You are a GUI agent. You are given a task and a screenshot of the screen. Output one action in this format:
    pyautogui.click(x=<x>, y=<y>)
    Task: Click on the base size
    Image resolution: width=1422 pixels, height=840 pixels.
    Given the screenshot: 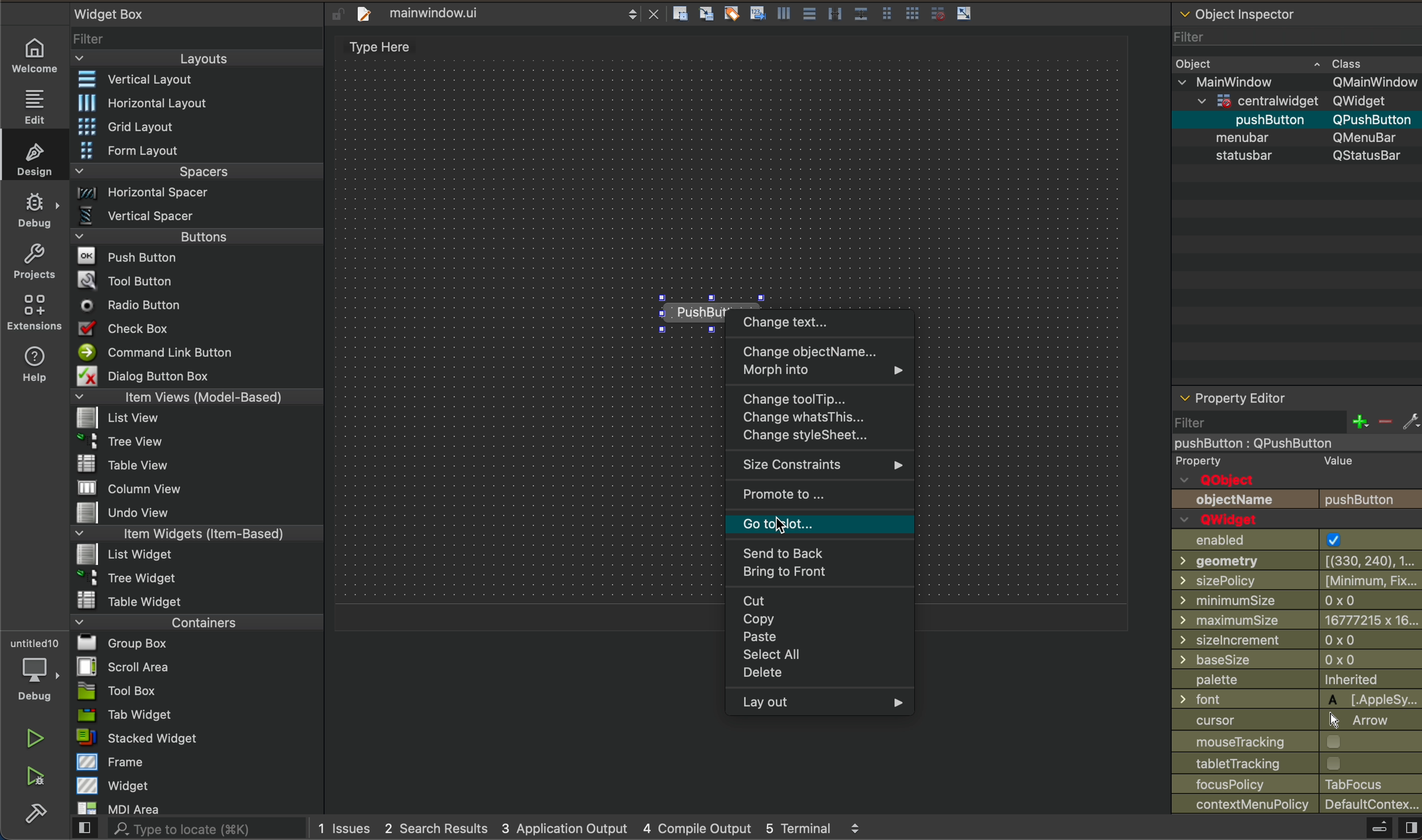 What is the action you would take?
    pyautogui.click(x=1296, y=659)
    